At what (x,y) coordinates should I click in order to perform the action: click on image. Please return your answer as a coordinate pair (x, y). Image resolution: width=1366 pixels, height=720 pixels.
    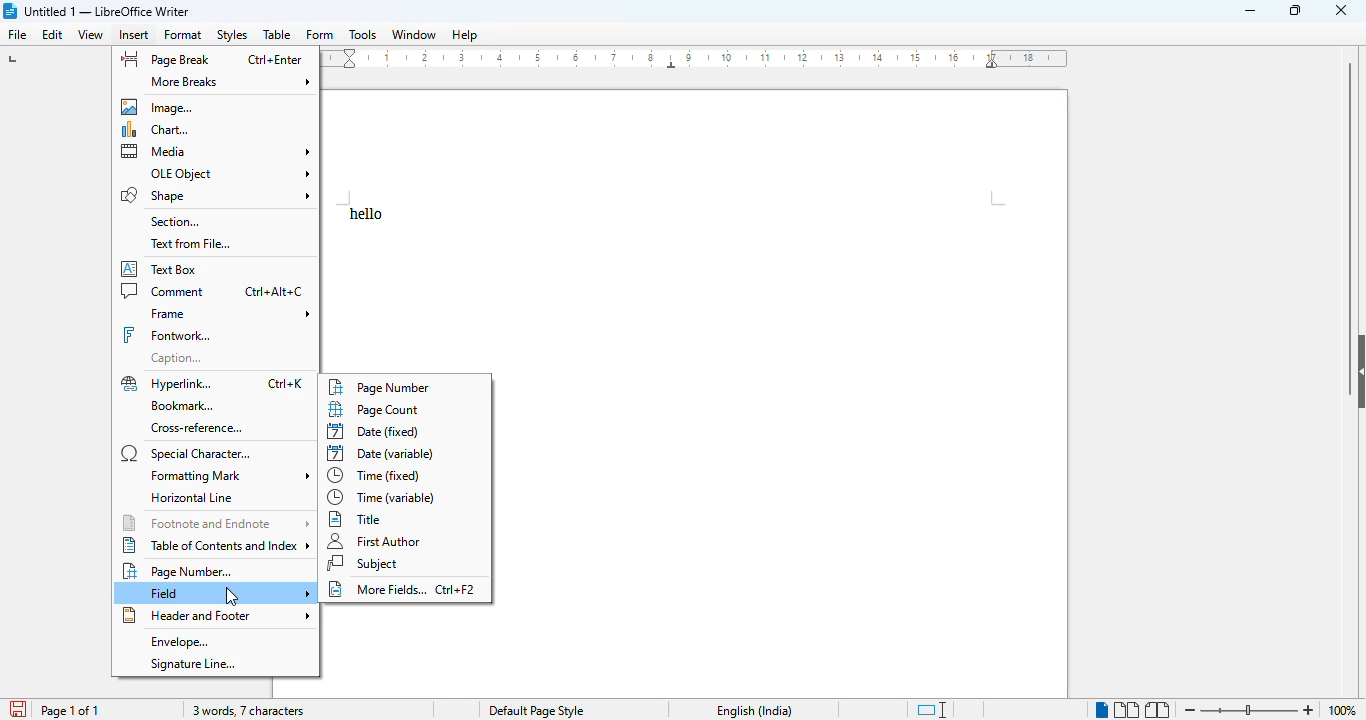
    Looking at the image, I should click on (160, 106).